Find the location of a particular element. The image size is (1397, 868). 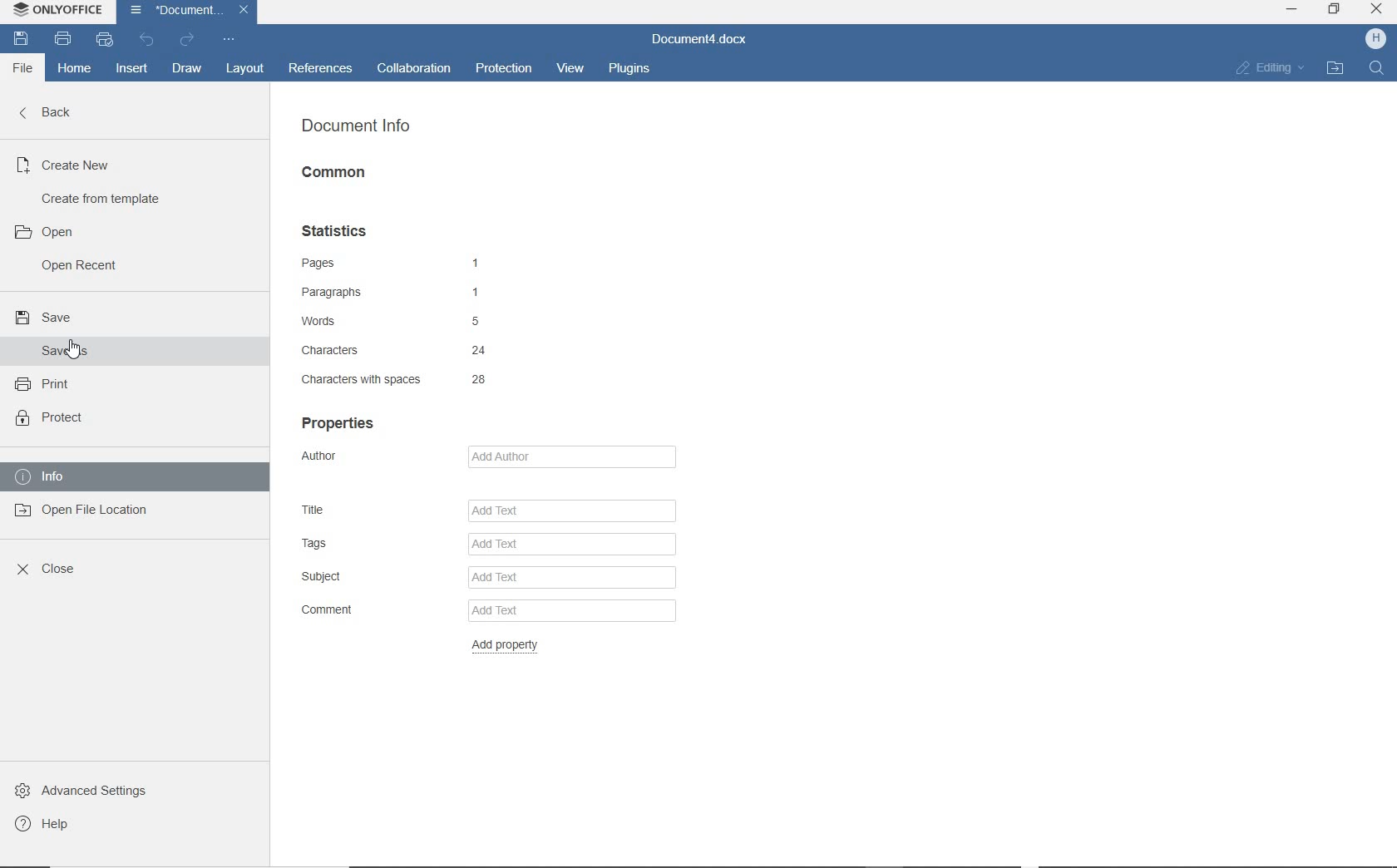

open file location is located at coordinates (86, 513).